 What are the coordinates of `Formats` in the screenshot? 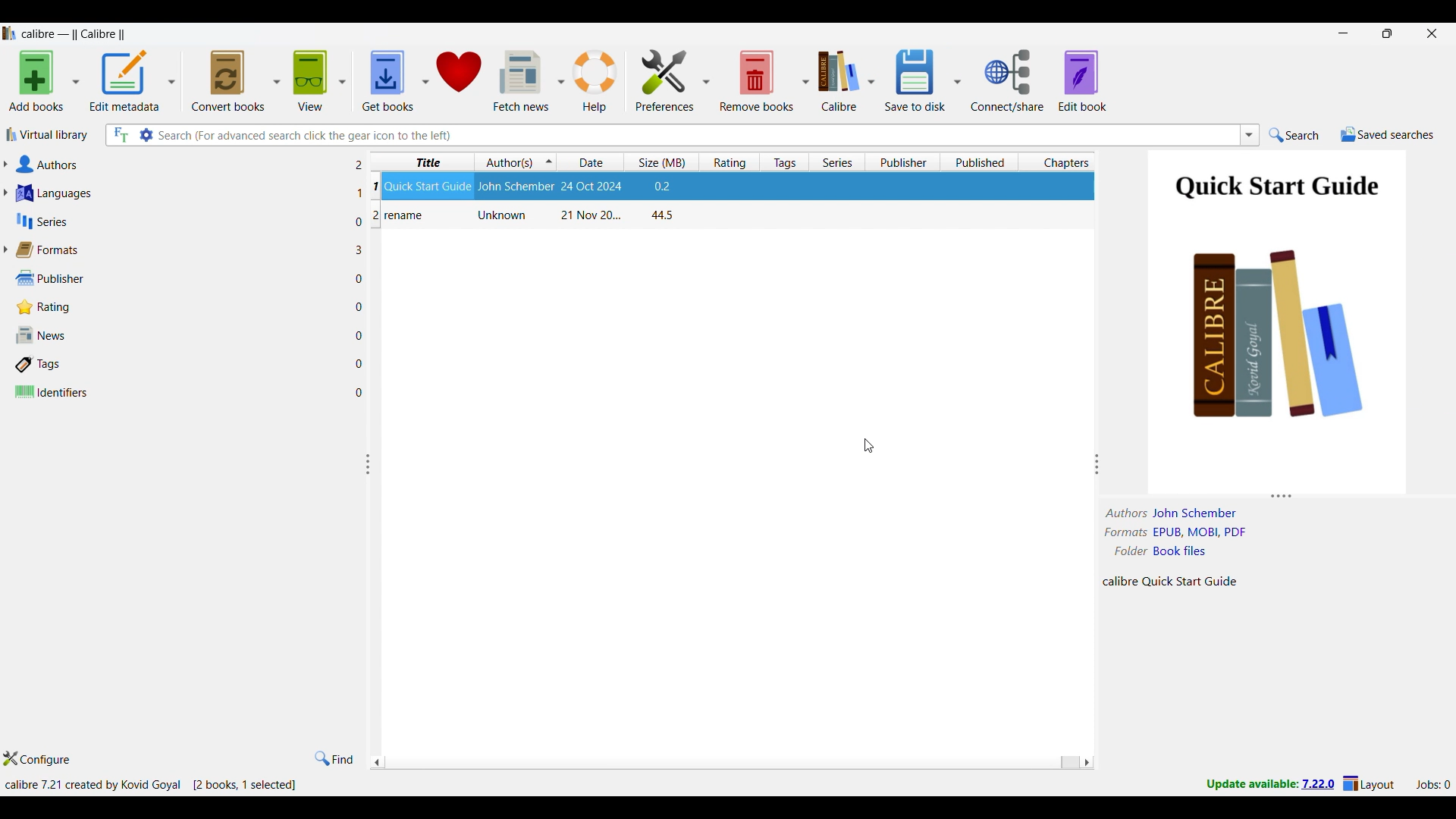 It's located at (177, 249).